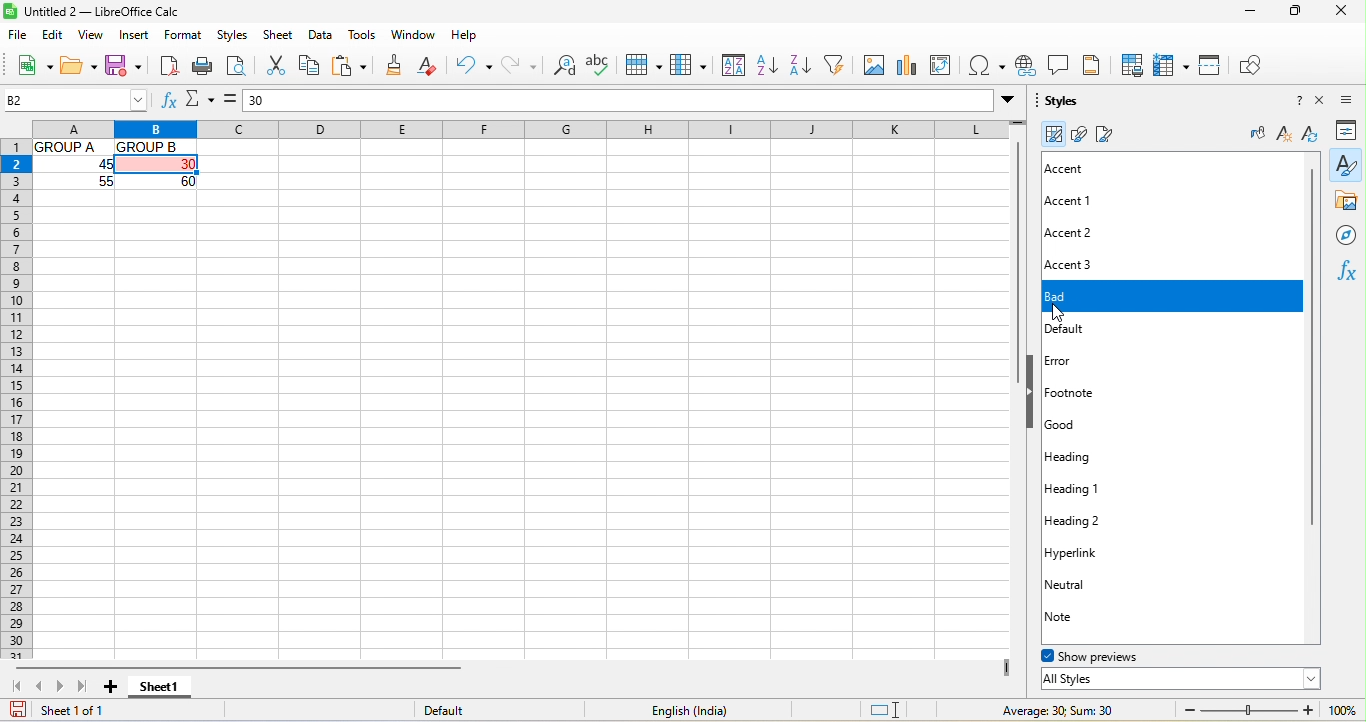  Describe the element at coordinates (157, 164) in the screenshot. I see `30 (custom cell style appear)` at that location.